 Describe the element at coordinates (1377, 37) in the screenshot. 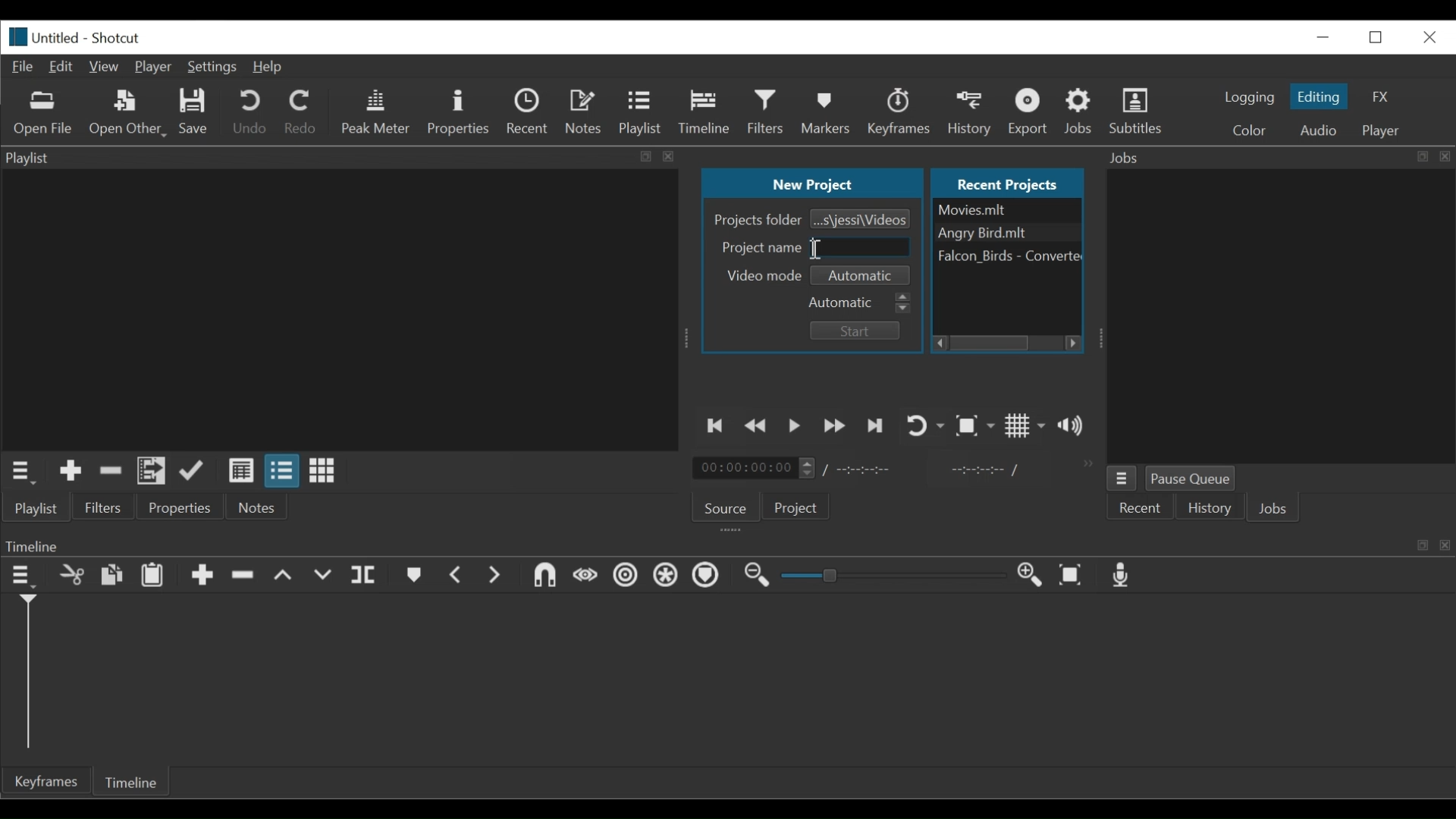

I see `Restore` at that location.